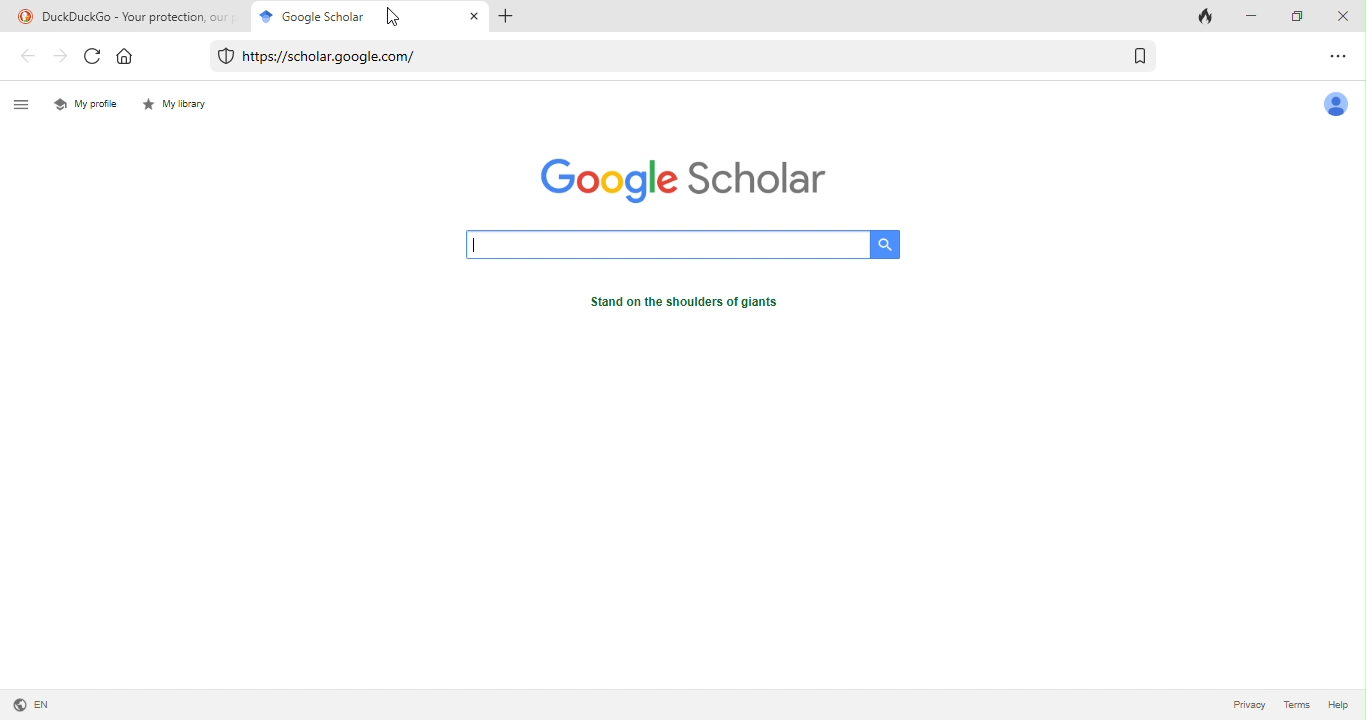 This screenshot has width=1366, height=720. I want to click on close, so click(1346, 15).